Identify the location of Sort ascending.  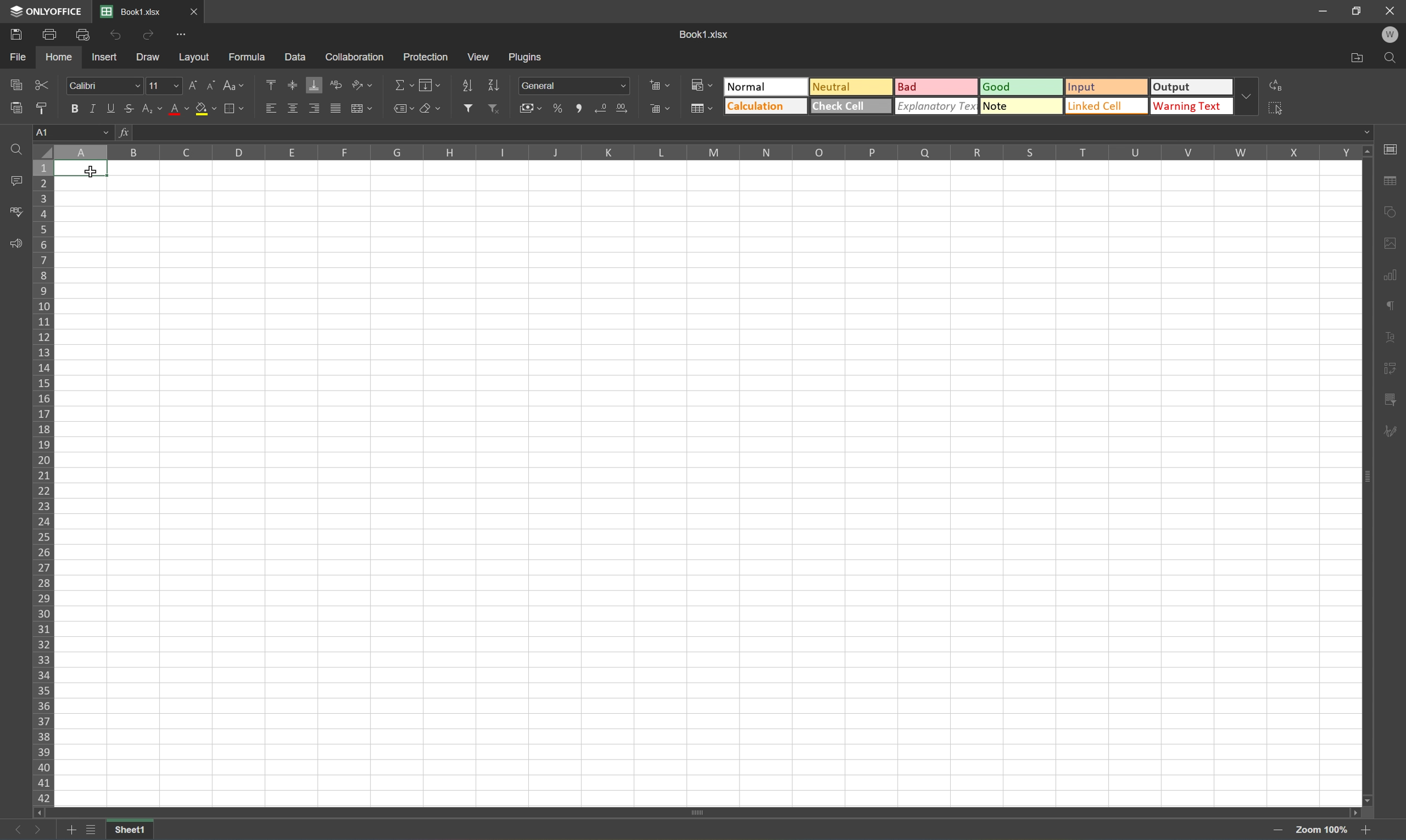
(468, 85).